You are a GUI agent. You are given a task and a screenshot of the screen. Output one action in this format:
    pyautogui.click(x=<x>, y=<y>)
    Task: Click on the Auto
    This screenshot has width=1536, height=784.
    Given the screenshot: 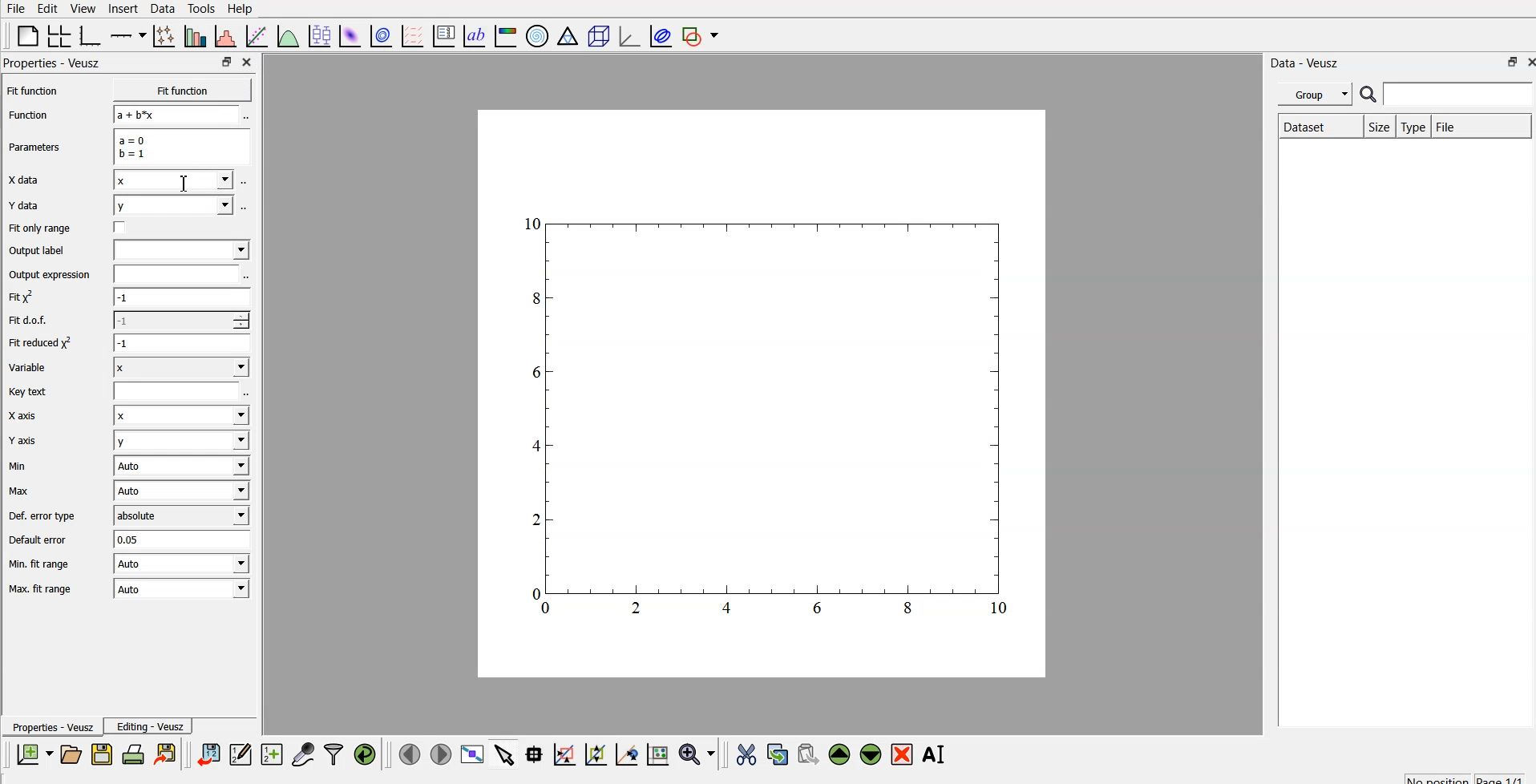 What is the action you would take?
    pyautogui.click(x=184, y=492)
    